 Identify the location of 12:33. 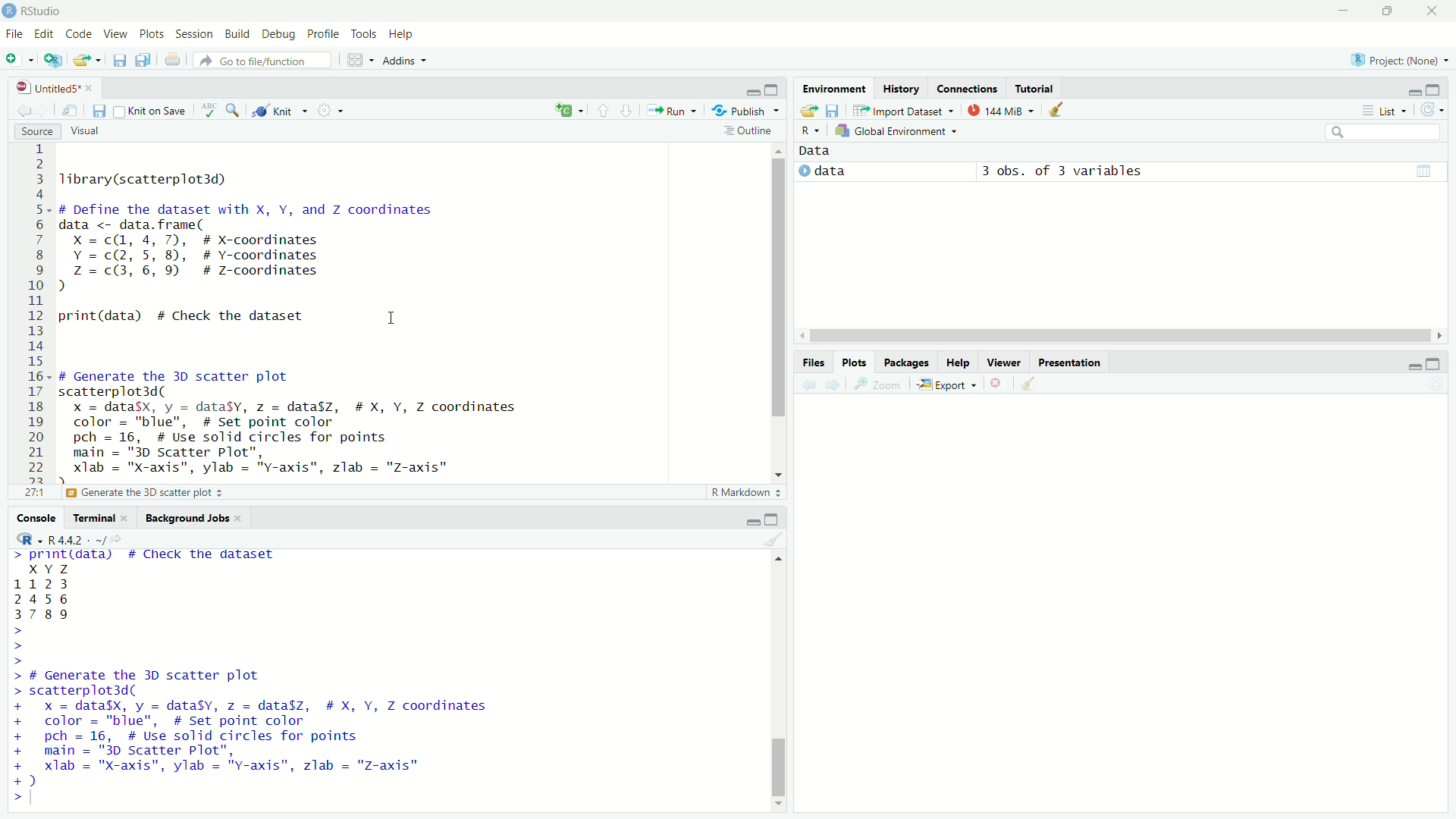
(32, 493).